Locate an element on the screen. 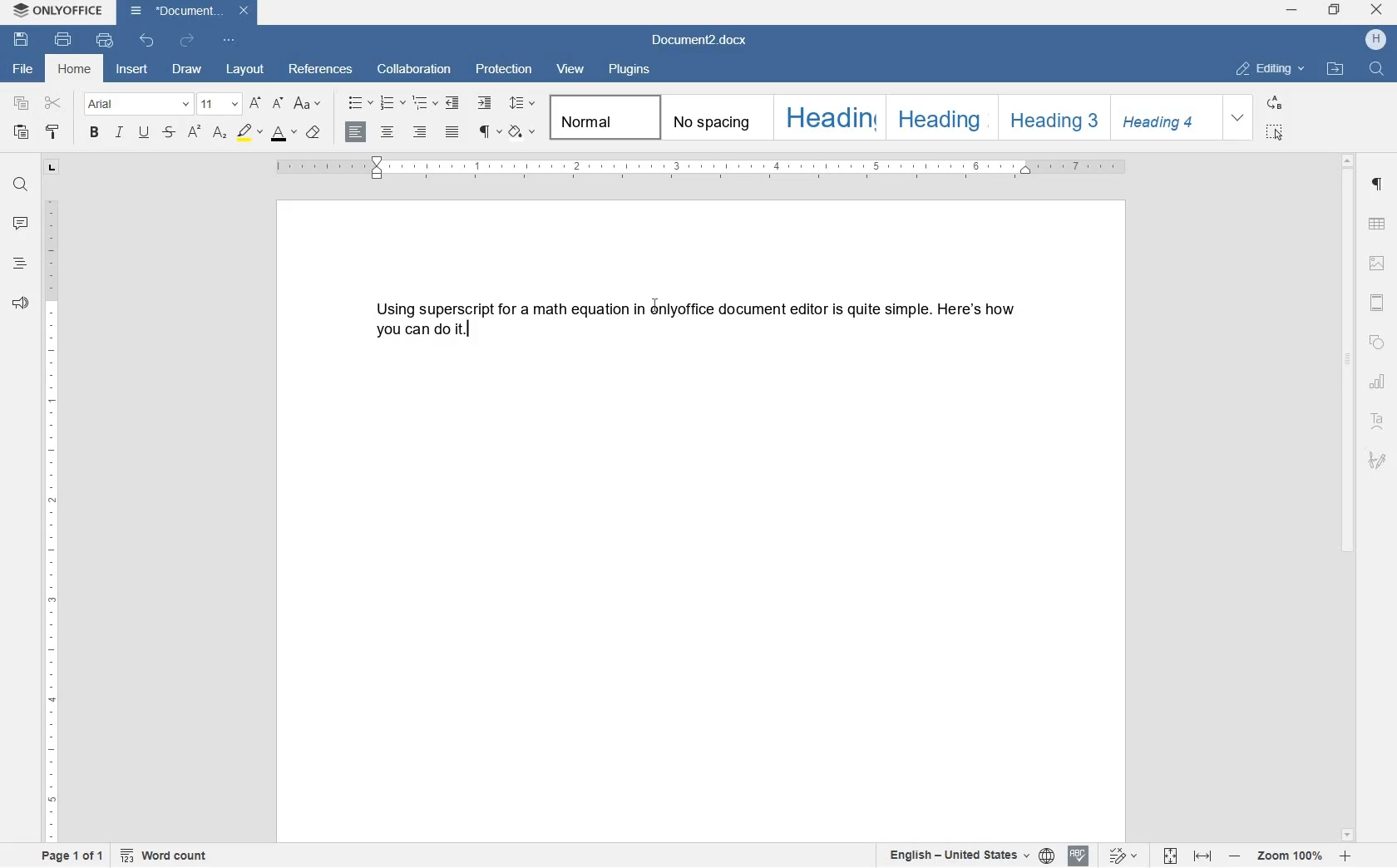  strikethrough is located at coordinates (169, 133).